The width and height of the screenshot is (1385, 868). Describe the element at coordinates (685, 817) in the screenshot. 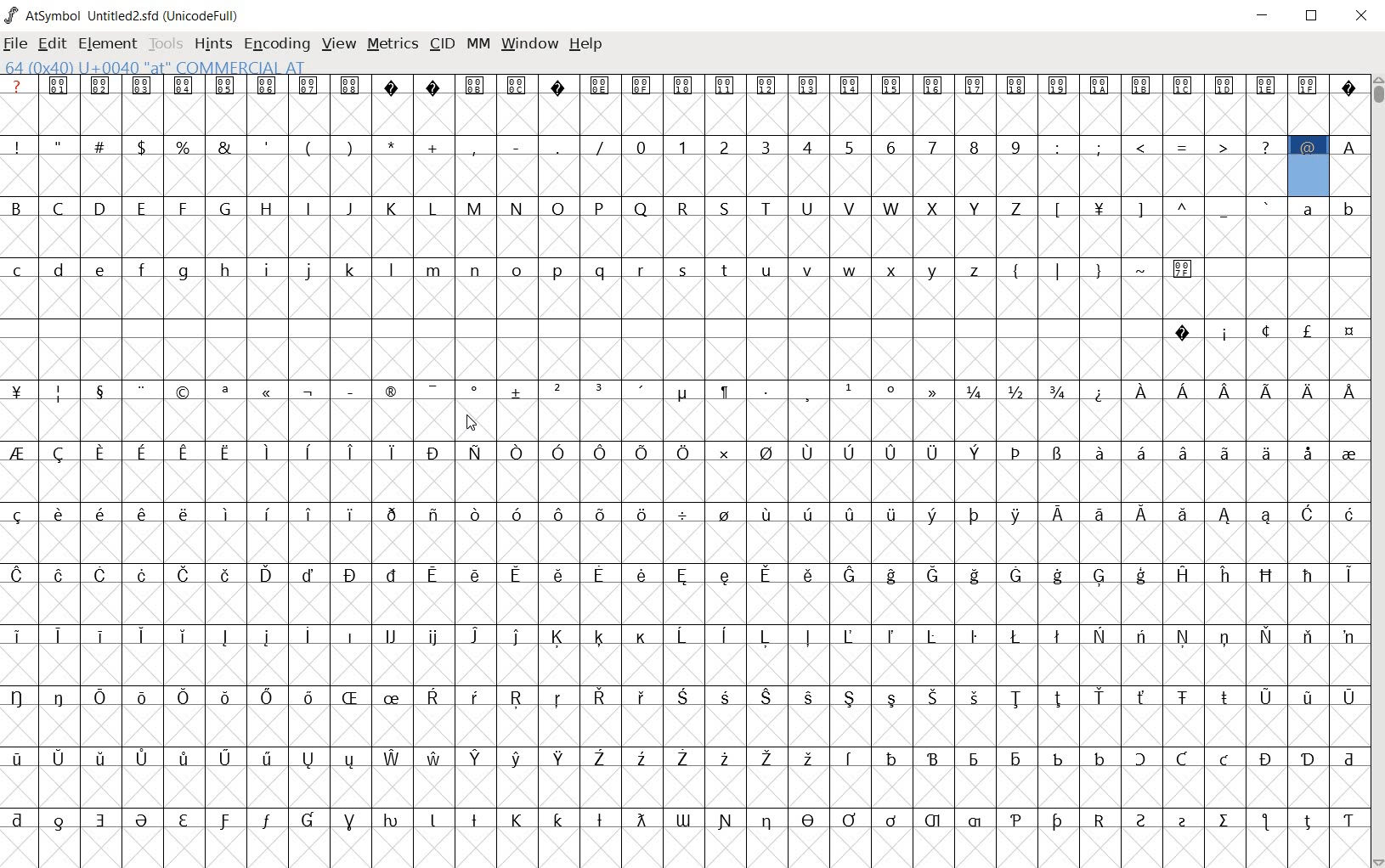

I see `special letters` at that location.